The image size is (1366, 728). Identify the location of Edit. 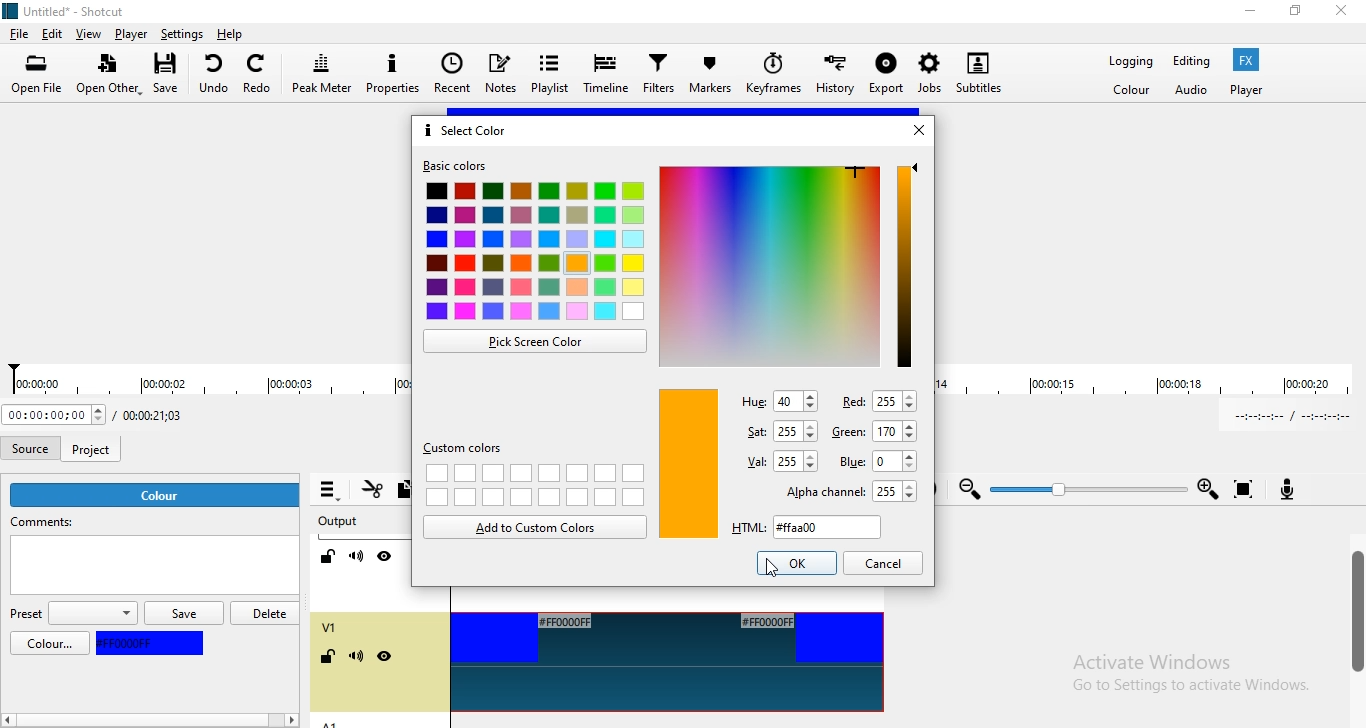
(53, 33).